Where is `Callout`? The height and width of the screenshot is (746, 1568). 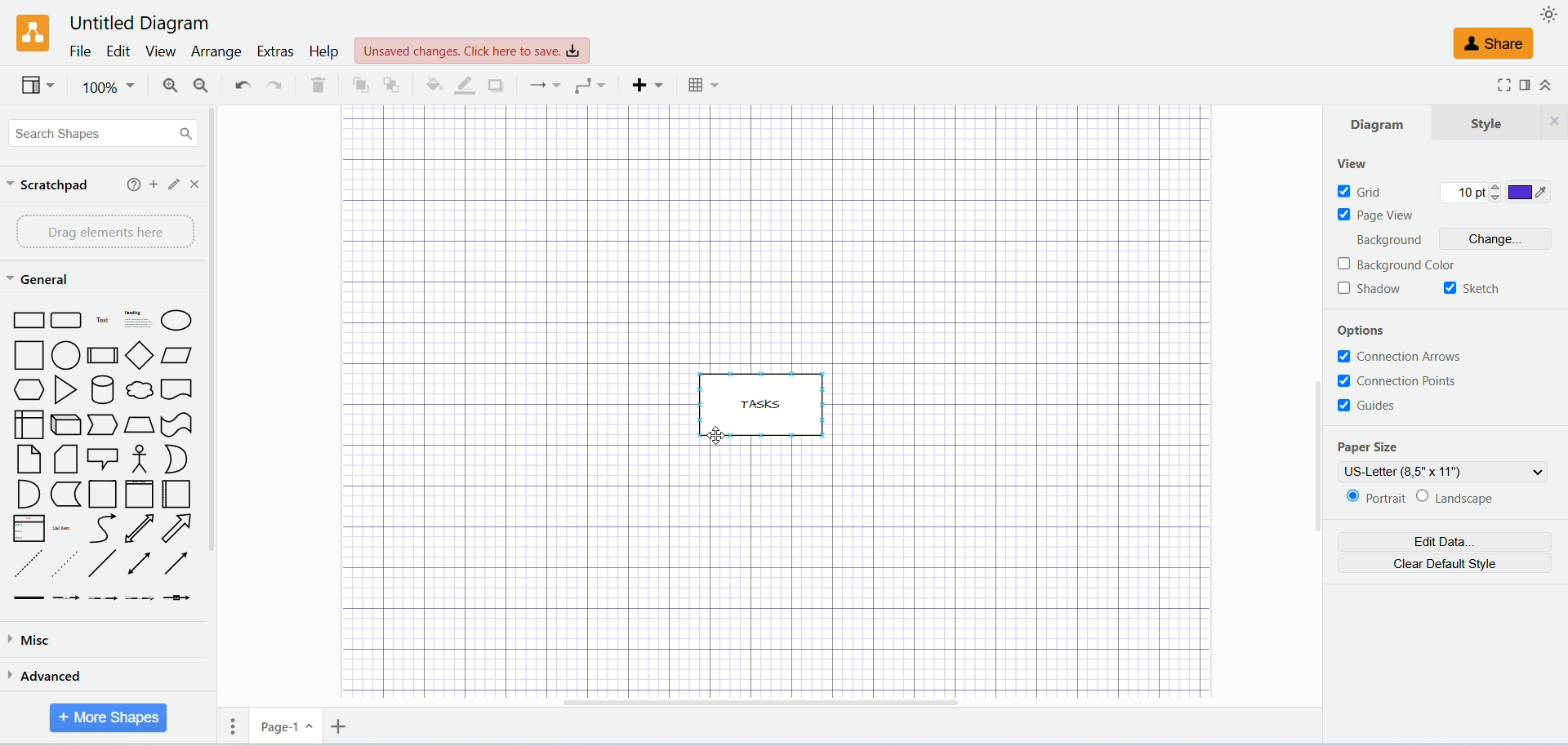 Callout is located at coordinates (103, 458).